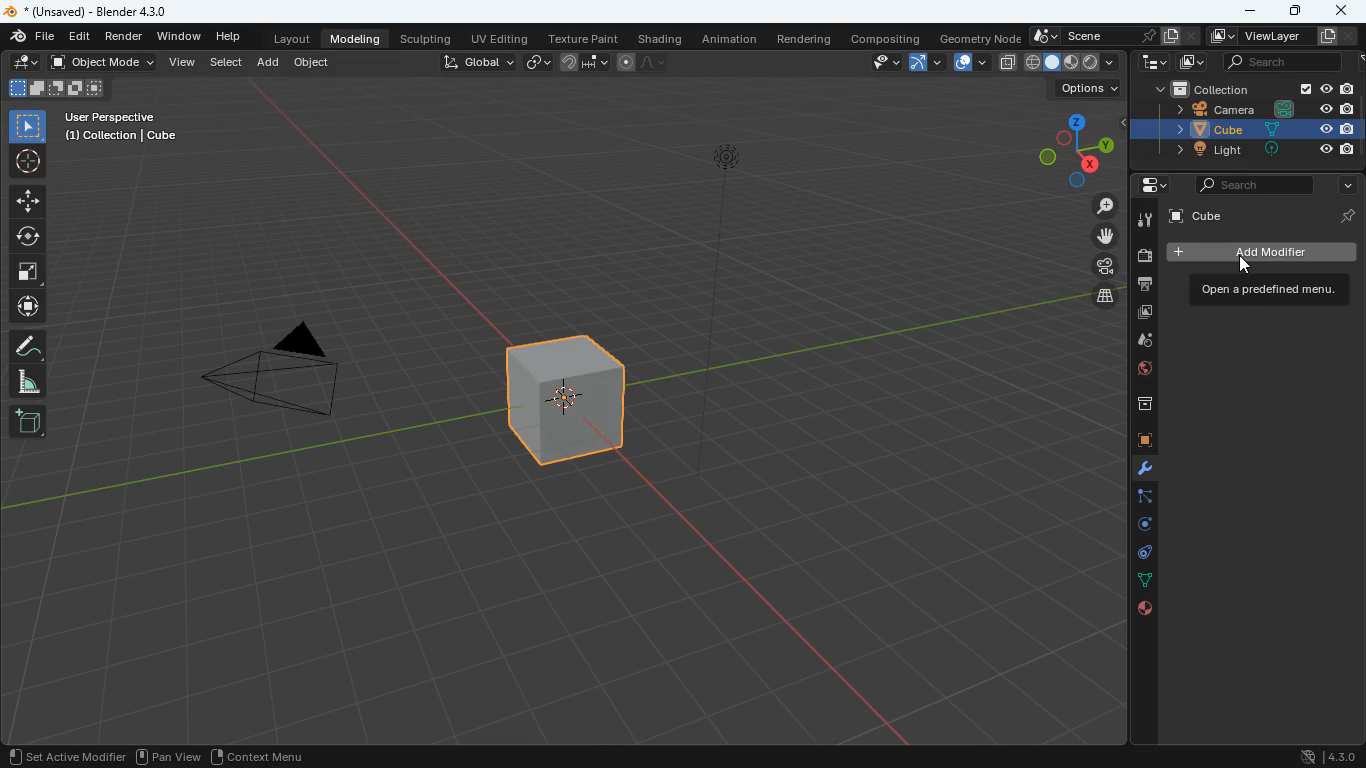  What do you see at coordinates (535, 61) in the screenshot?
I see `link` at bounding box center [535, 61].